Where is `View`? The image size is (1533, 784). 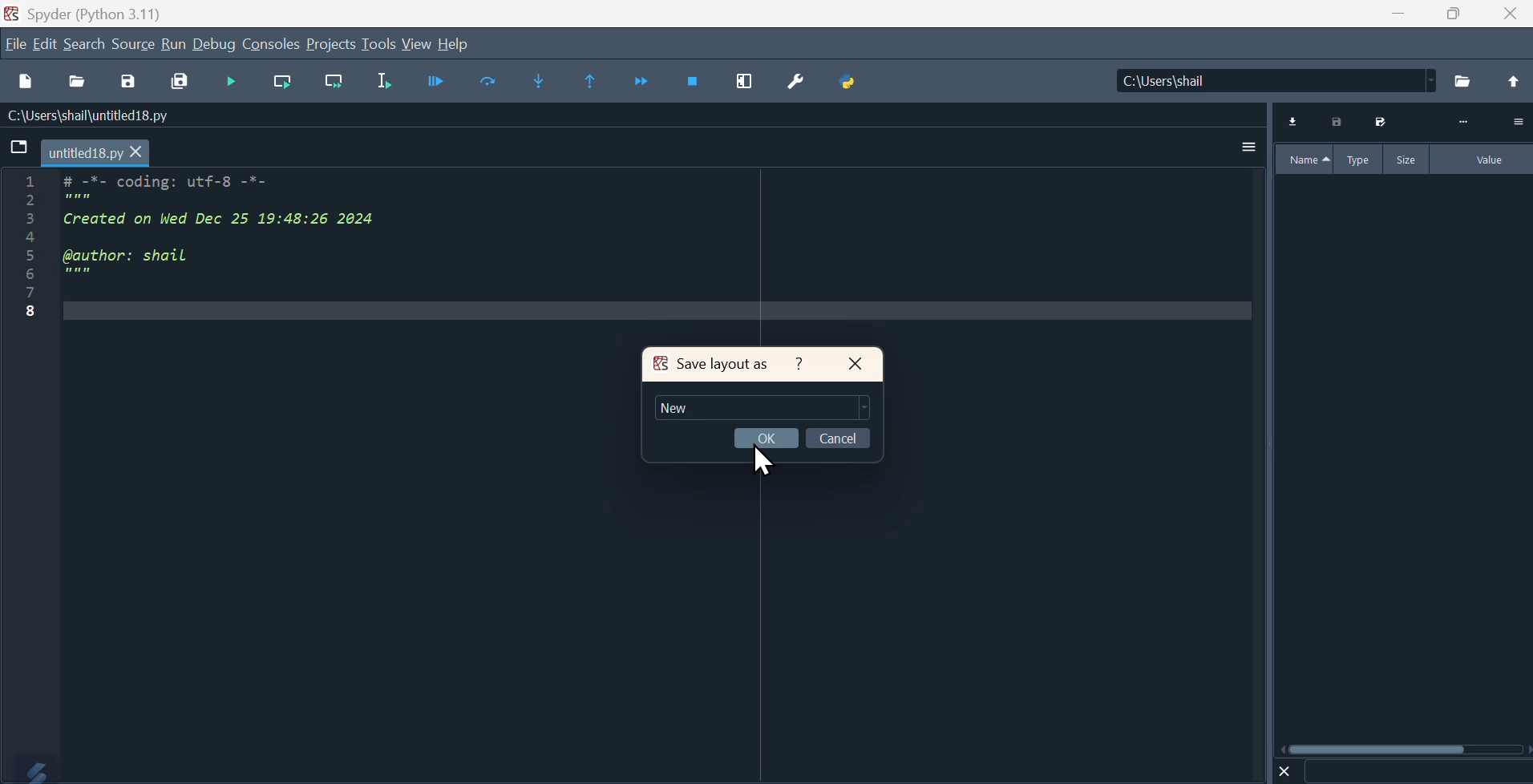
View is located at coordinates (418, 45).